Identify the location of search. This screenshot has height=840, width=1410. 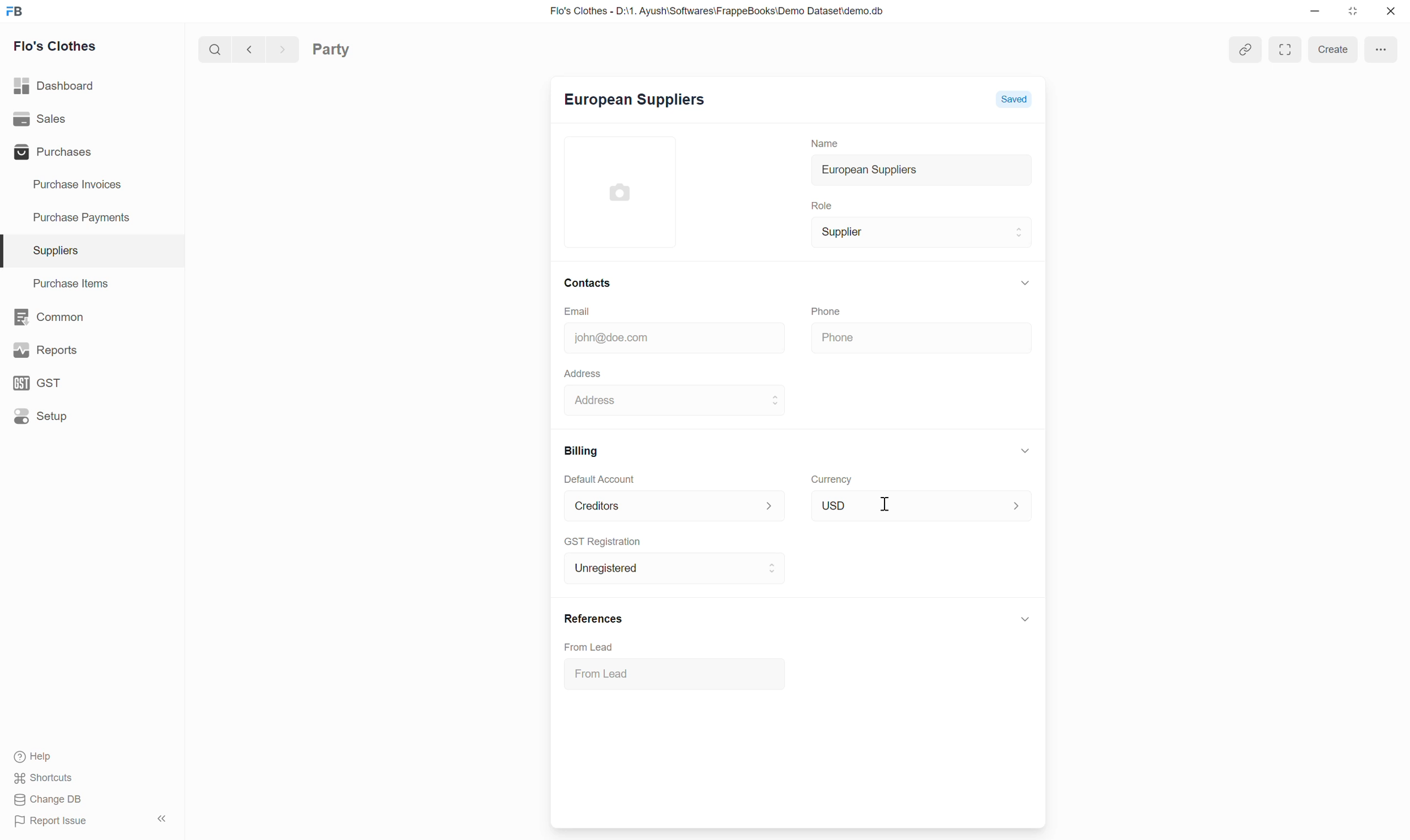
(210, 48).